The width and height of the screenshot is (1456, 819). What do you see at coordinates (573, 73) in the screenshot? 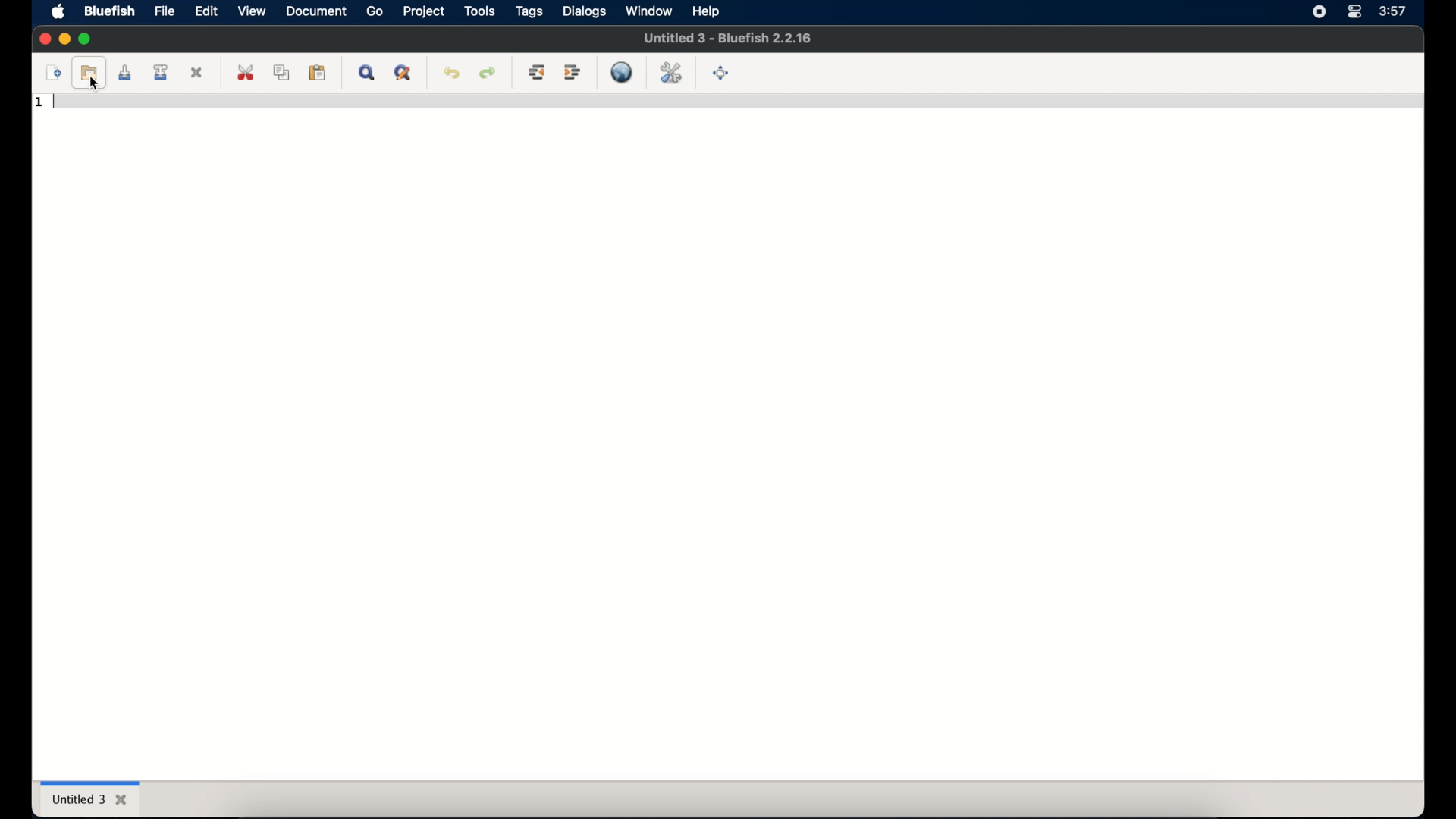
I see `indent ` at bounding box center [573, 73].